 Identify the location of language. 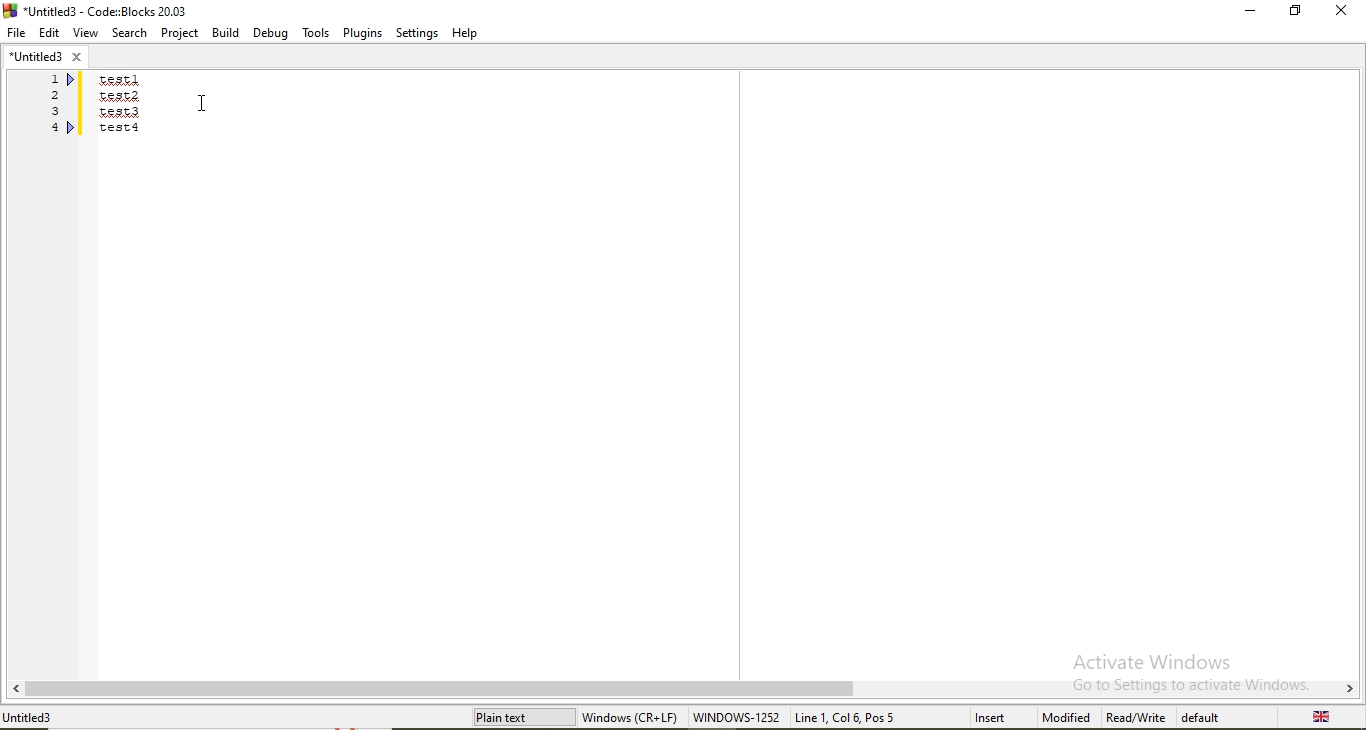
(1324, 717).